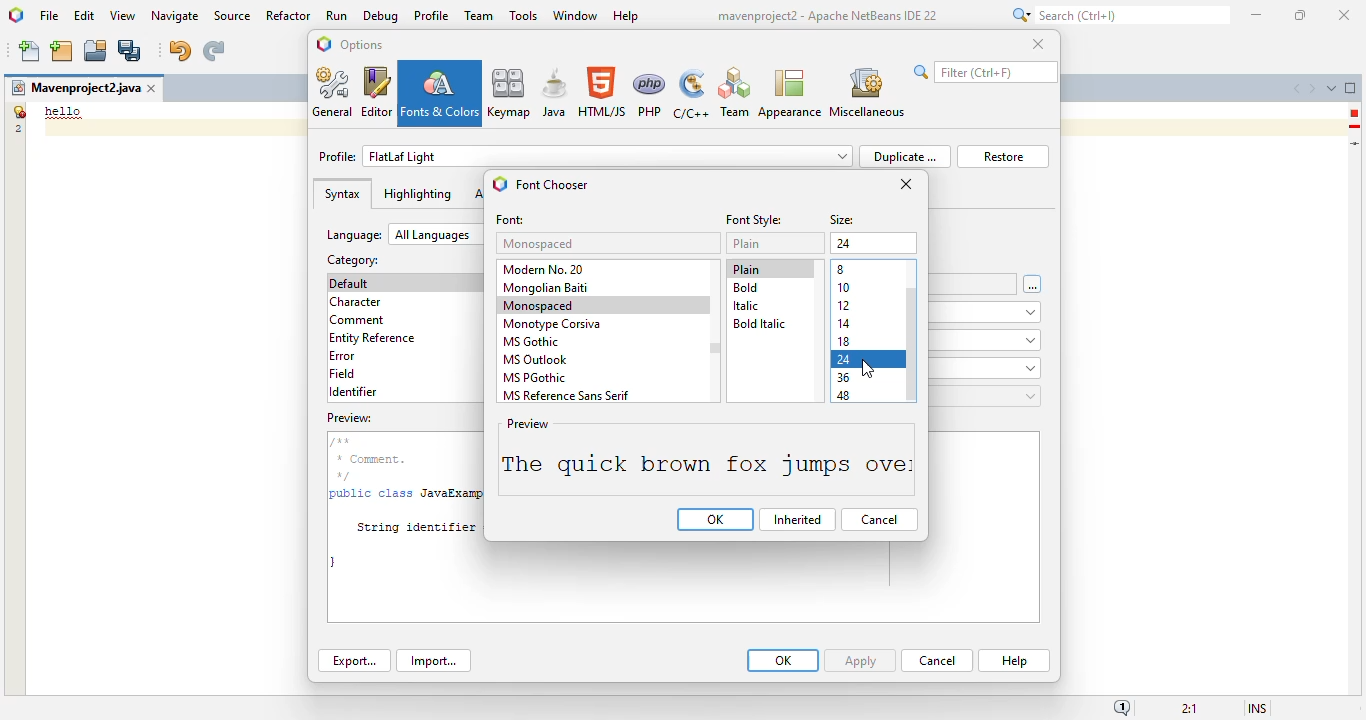 The height and width of the screenshot is (720, 1366). I want to click on search, so click(985, 72).